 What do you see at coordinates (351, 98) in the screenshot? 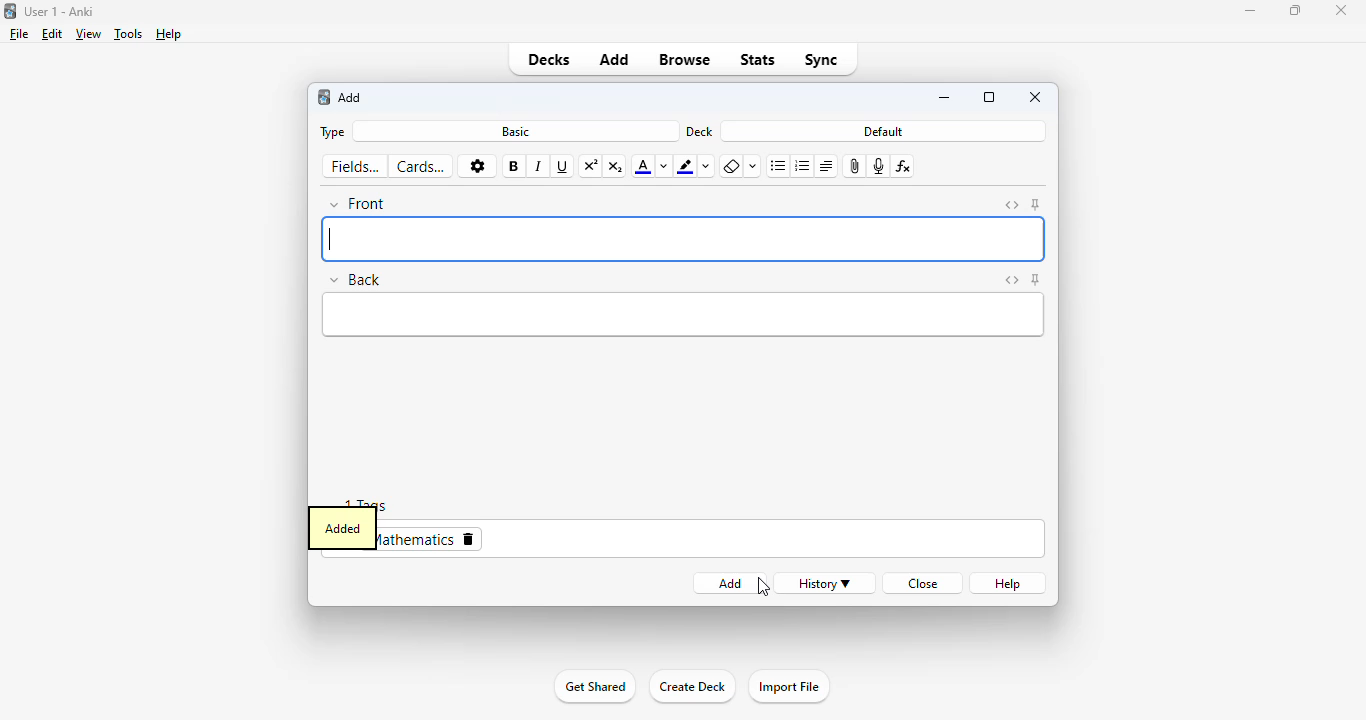
I see `add` at bounding box center [351, 98].